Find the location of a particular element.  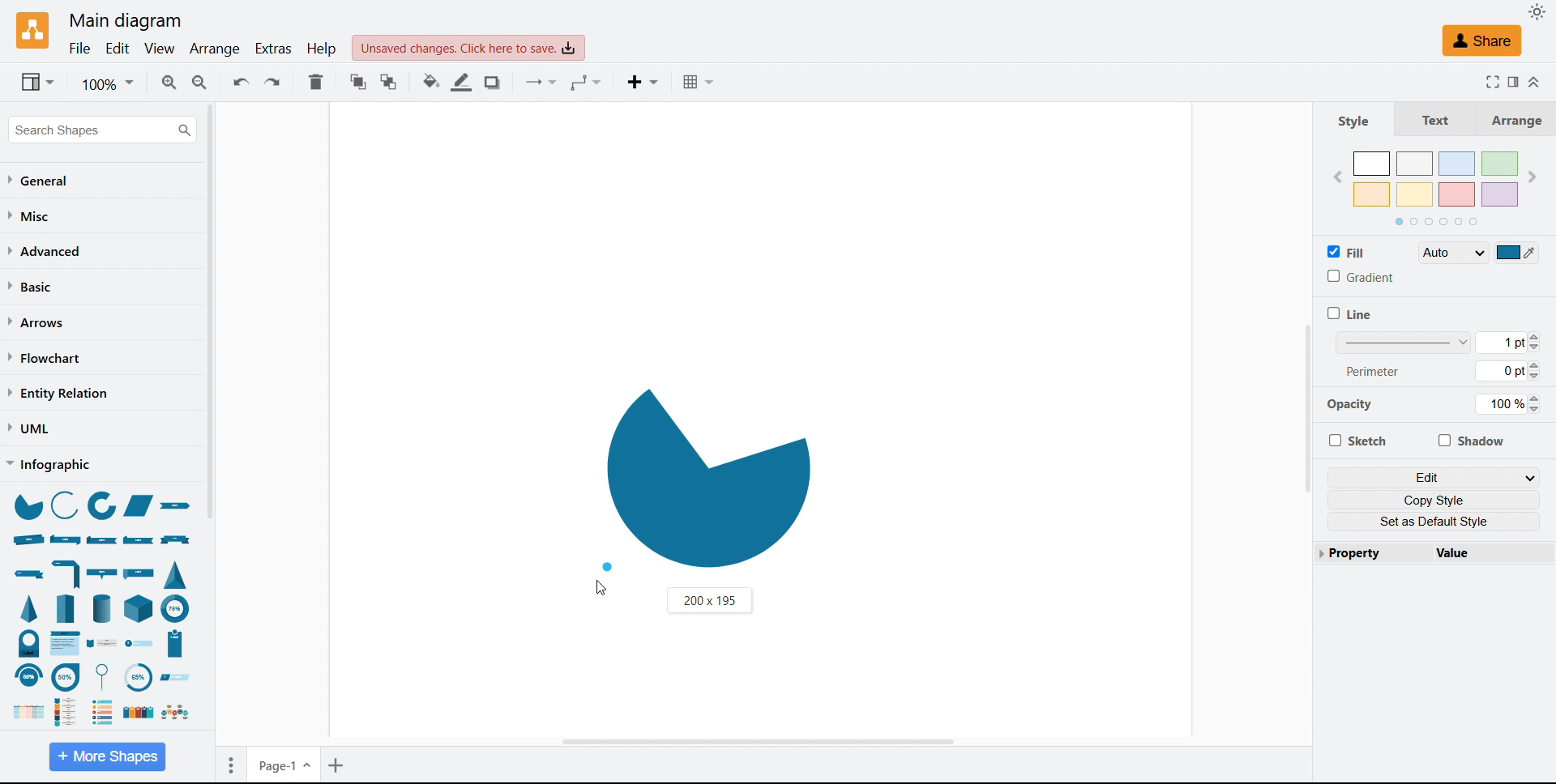

Horizontal scroll bar is located at coordinates (755, 740).